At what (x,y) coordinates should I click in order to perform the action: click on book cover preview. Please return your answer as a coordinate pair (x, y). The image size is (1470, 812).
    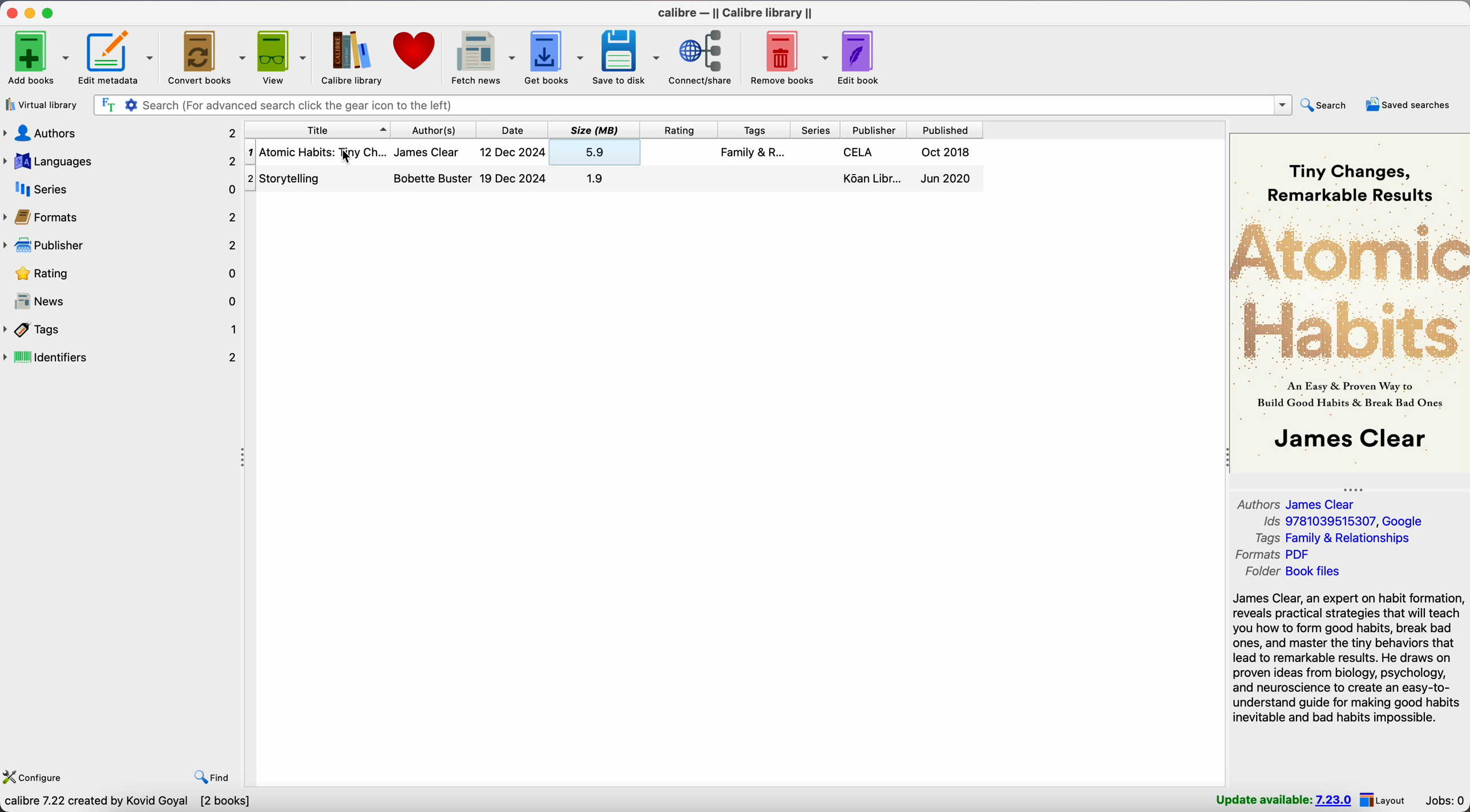
    Looking at the image, I should click on (1350, 303).